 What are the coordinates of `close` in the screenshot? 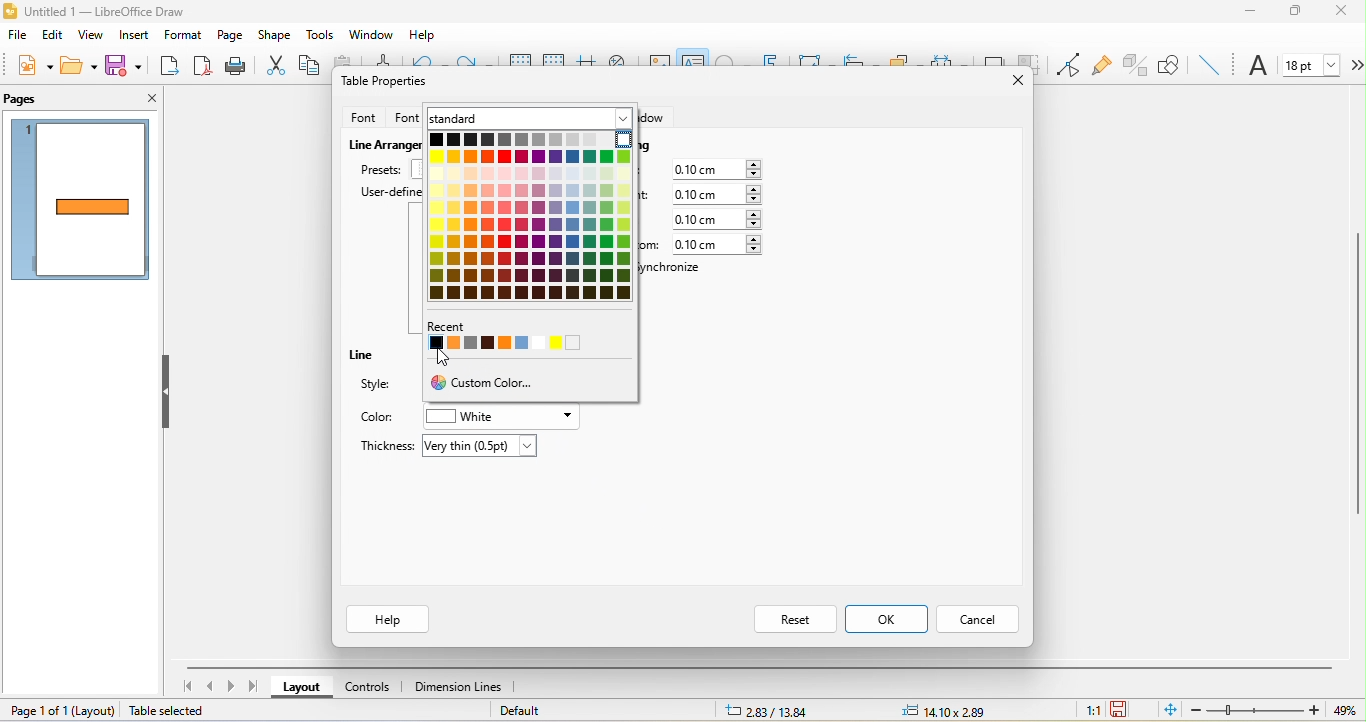 It's located at (1347, 12).